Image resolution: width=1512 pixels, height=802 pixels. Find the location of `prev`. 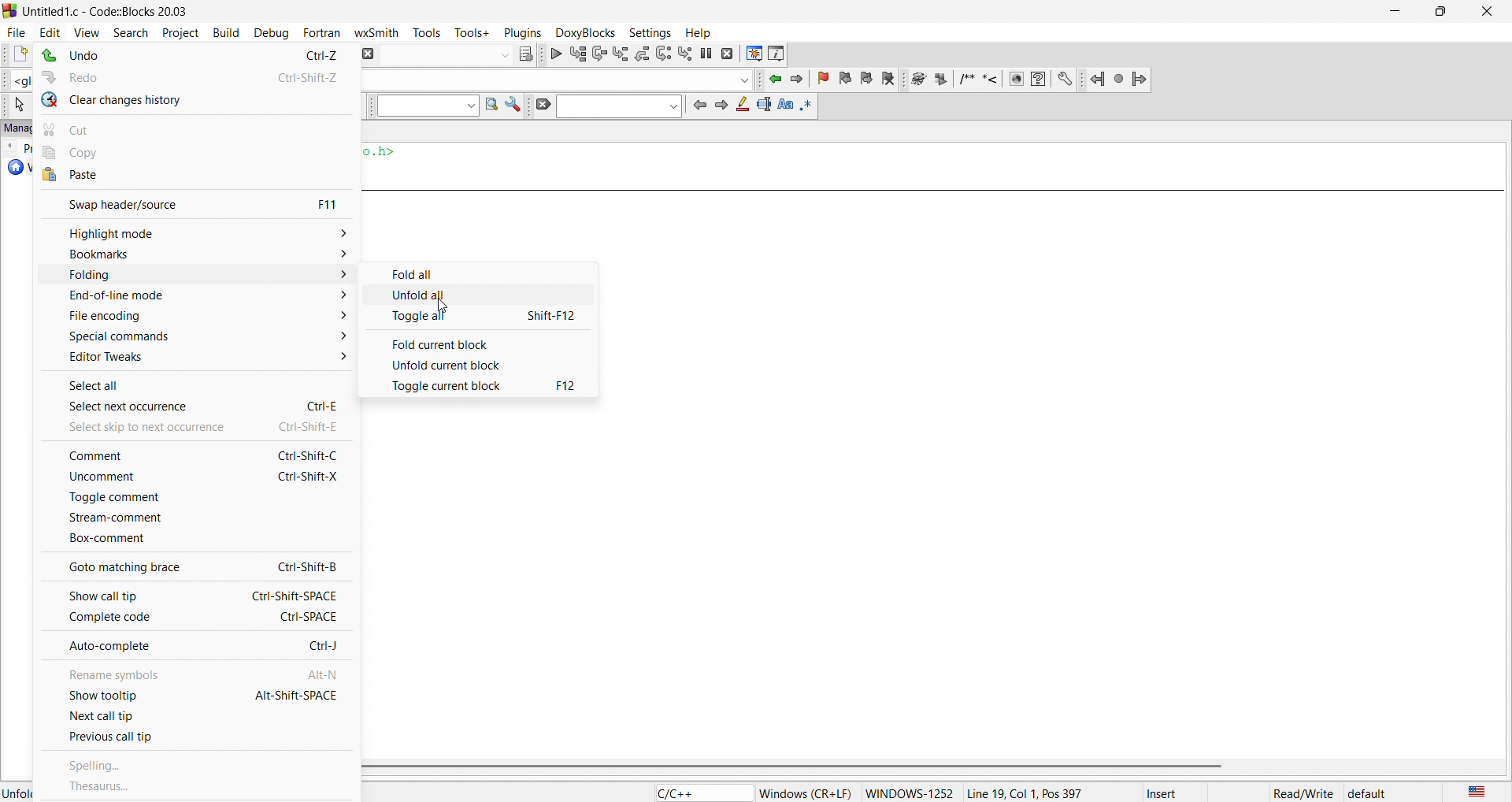

prev is located at coordinates (699, 104).